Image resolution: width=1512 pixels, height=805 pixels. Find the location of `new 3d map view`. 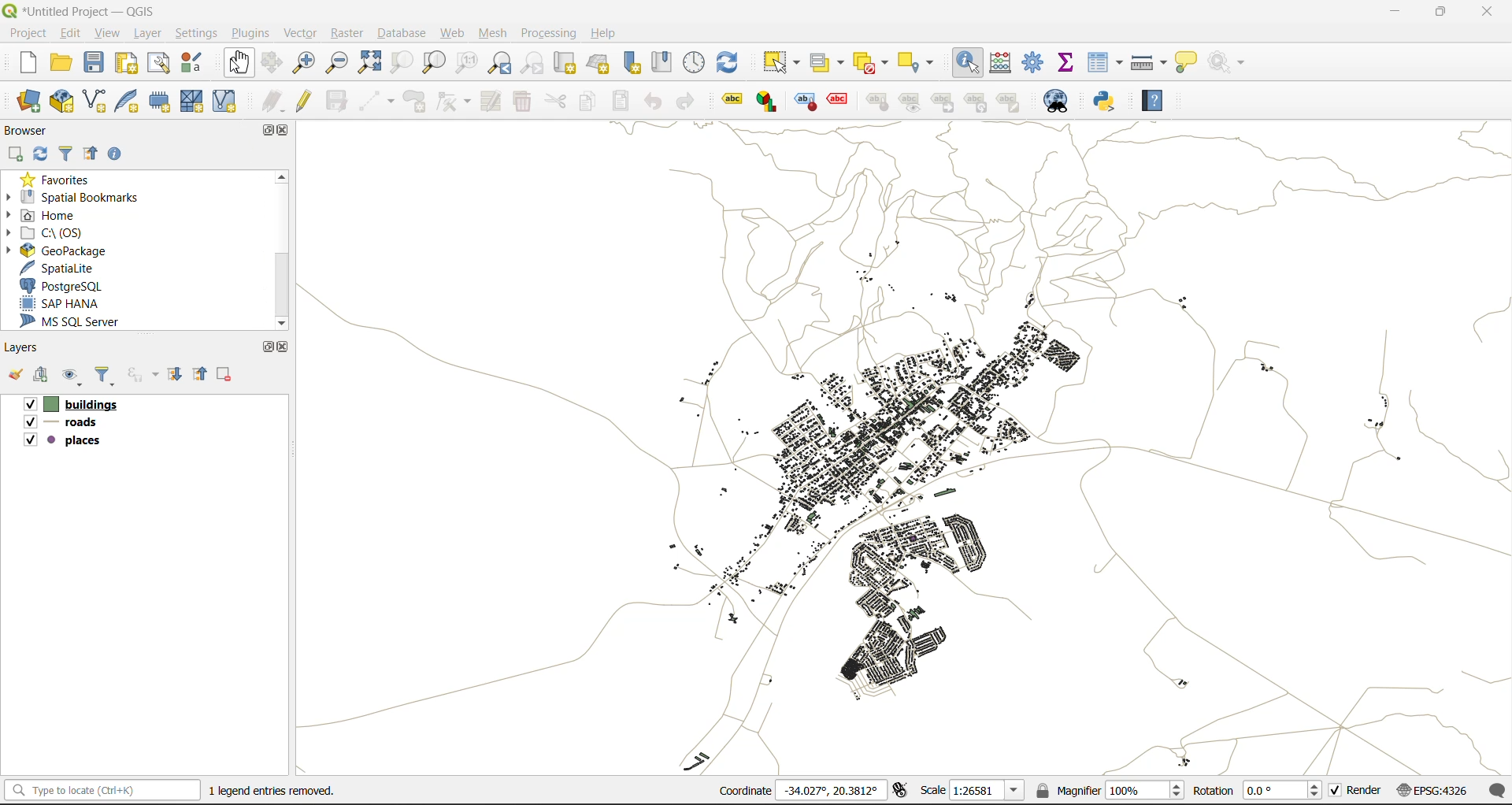

new 3d map view is located at coordinates (602, 63).